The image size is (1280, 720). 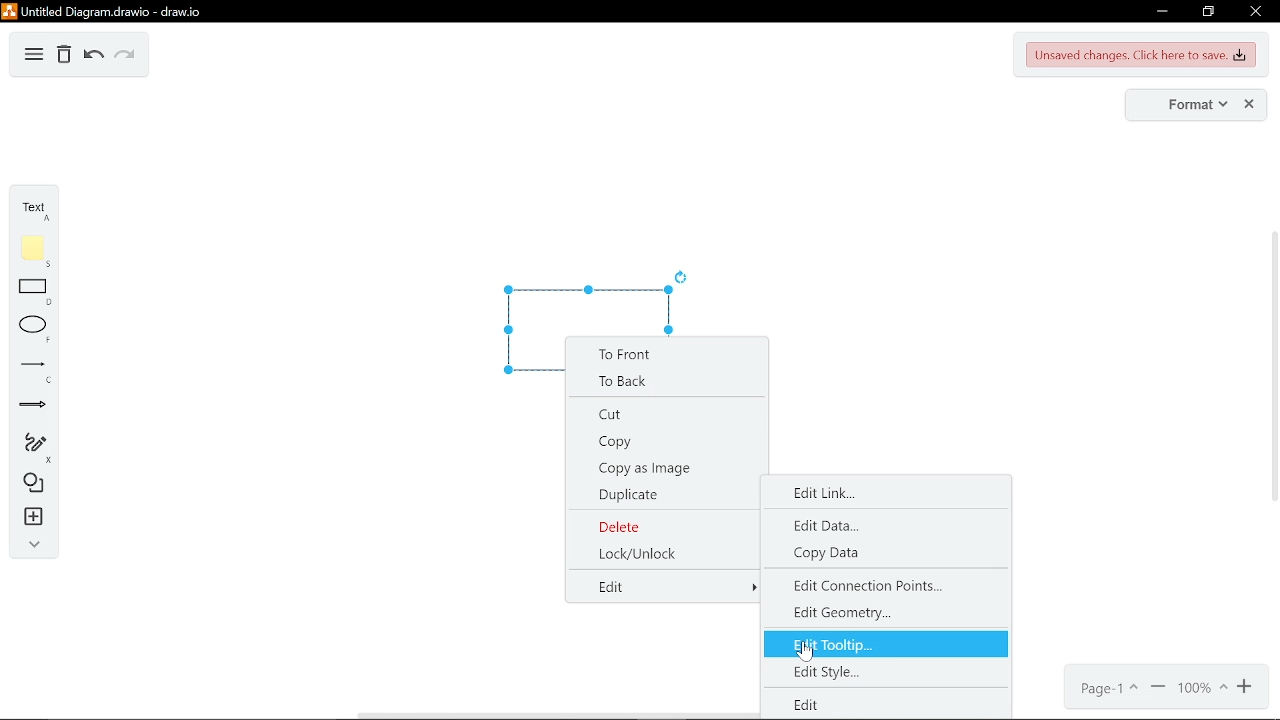 I want to click on edit geometry, so click(x=867, y=615).